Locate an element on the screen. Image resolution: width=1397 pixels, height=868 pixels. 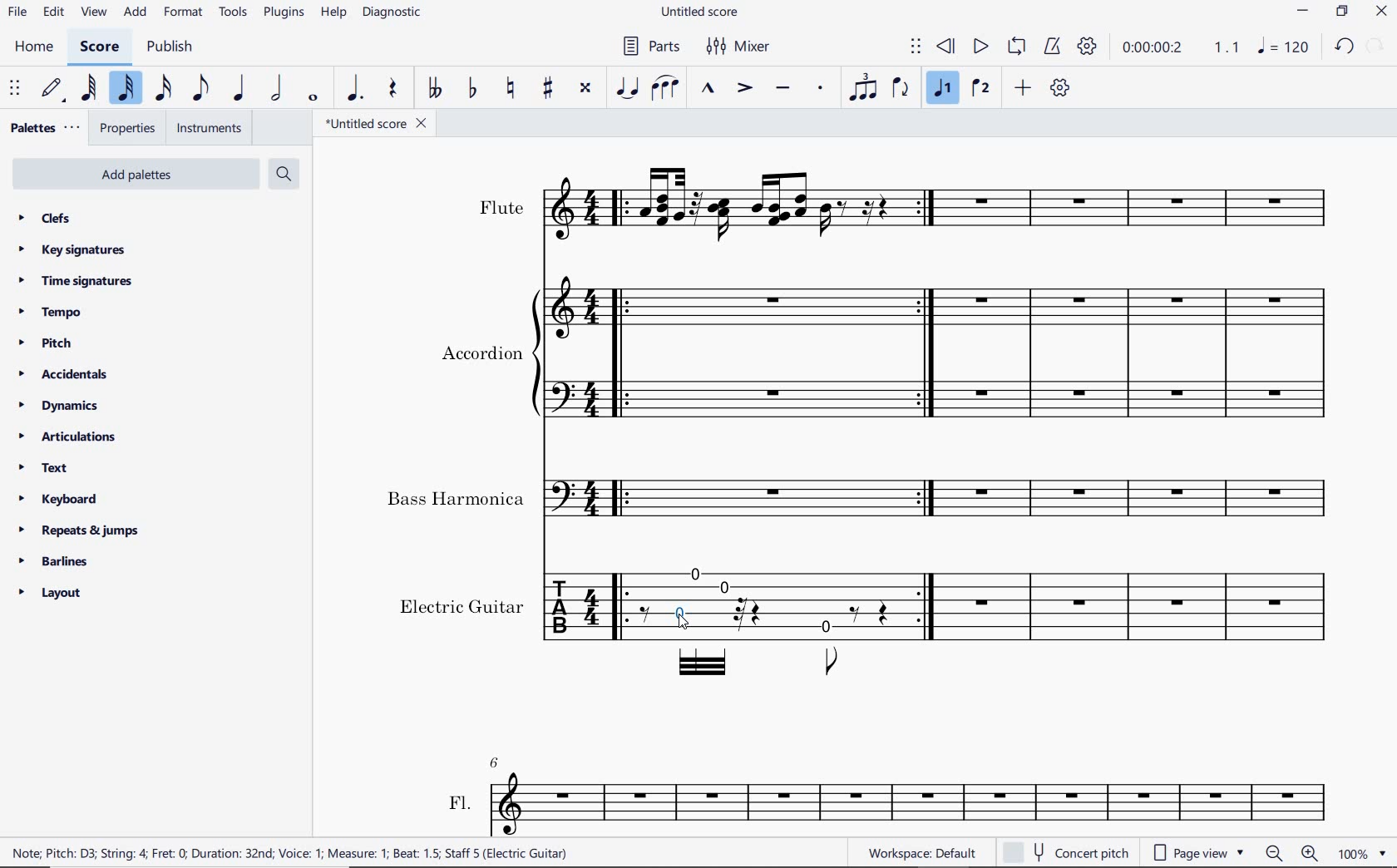
rest is located at coordinates (392, 91).